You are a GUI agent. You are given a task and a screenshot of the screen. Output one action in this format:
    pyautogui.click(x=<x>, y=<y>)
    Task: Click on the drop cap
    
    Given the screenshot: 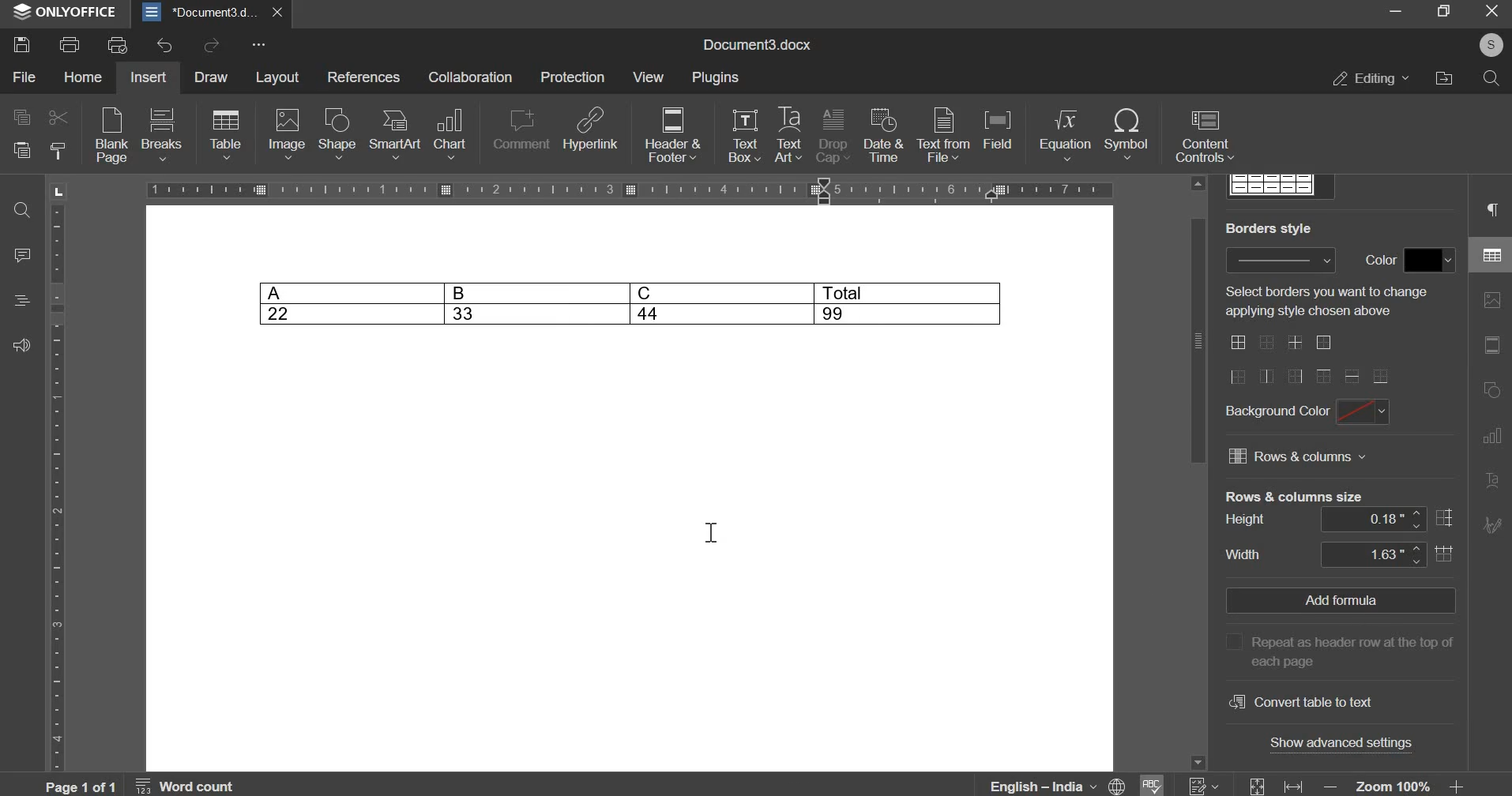 What is the action you would take?
    pyautogui.click(x=832, y=137)
    